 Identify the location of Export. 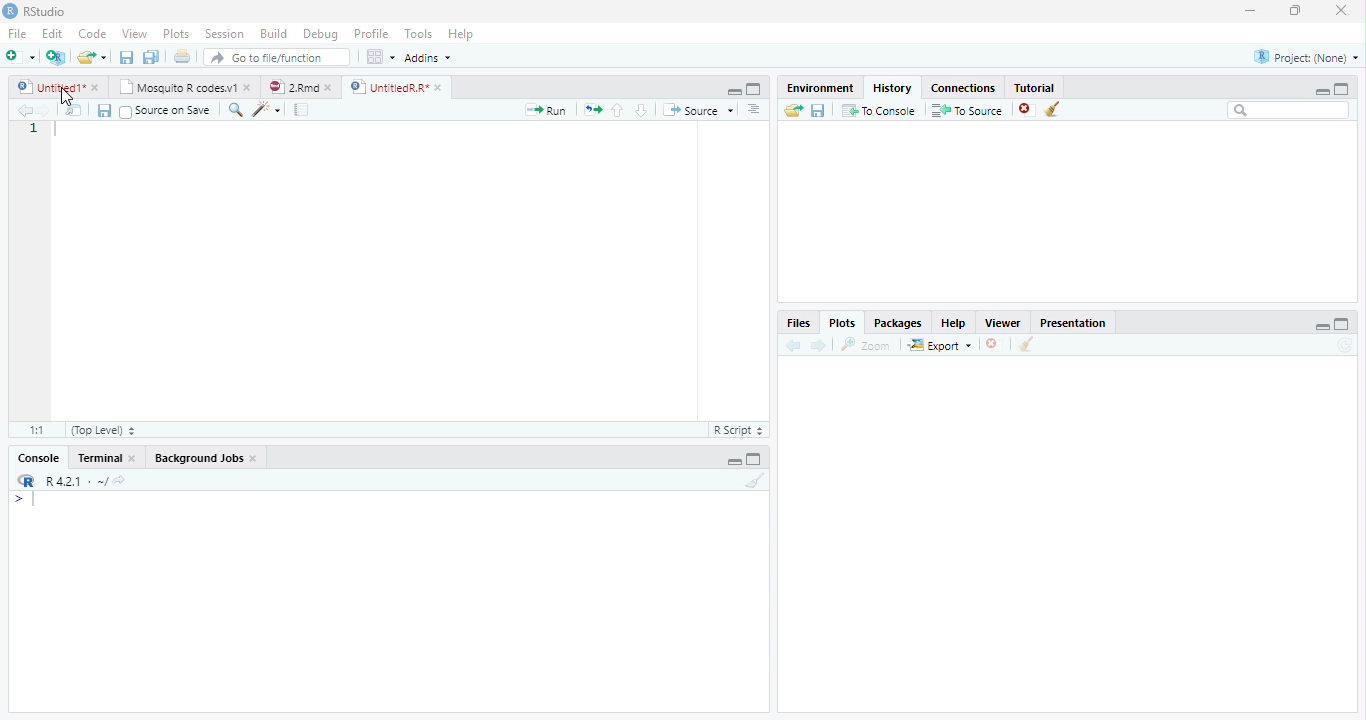
(939, 347).